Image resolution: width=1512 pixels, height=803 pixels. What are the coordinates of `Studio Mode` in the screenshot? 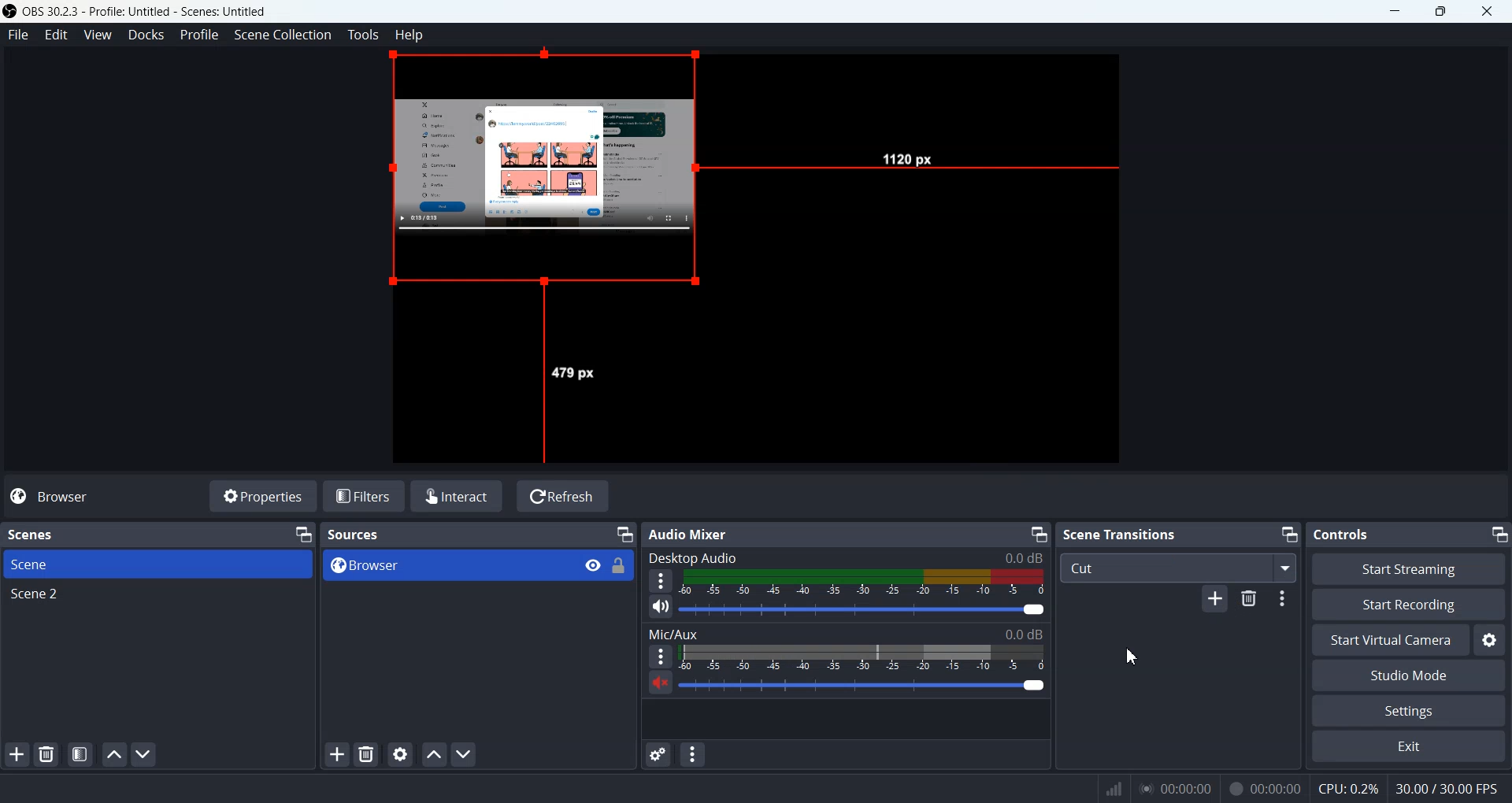 It's located at (1409, 675).